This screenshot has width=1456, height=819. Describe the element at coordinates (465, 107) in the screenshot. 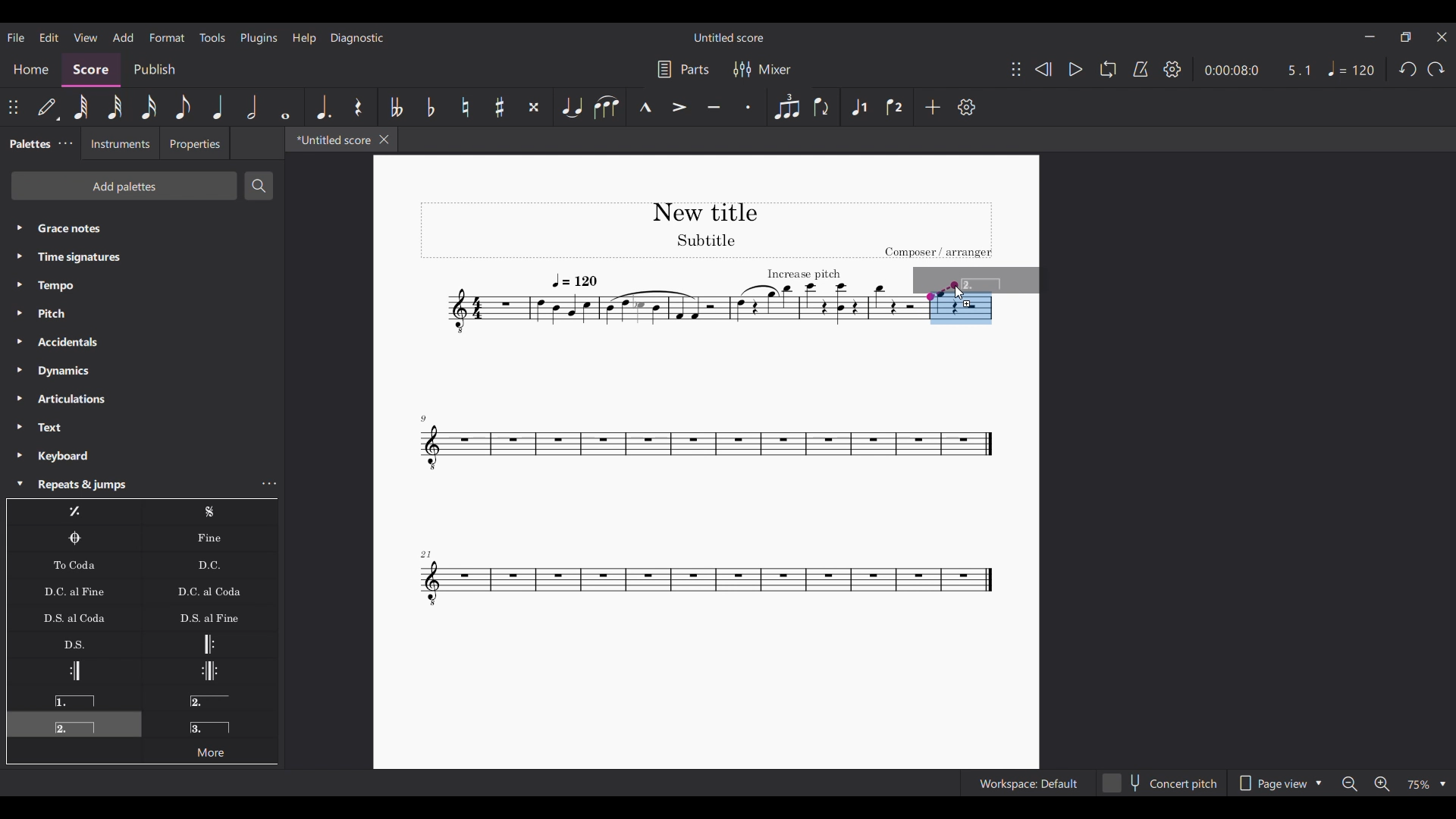

I see `Toggle natural` at that location.